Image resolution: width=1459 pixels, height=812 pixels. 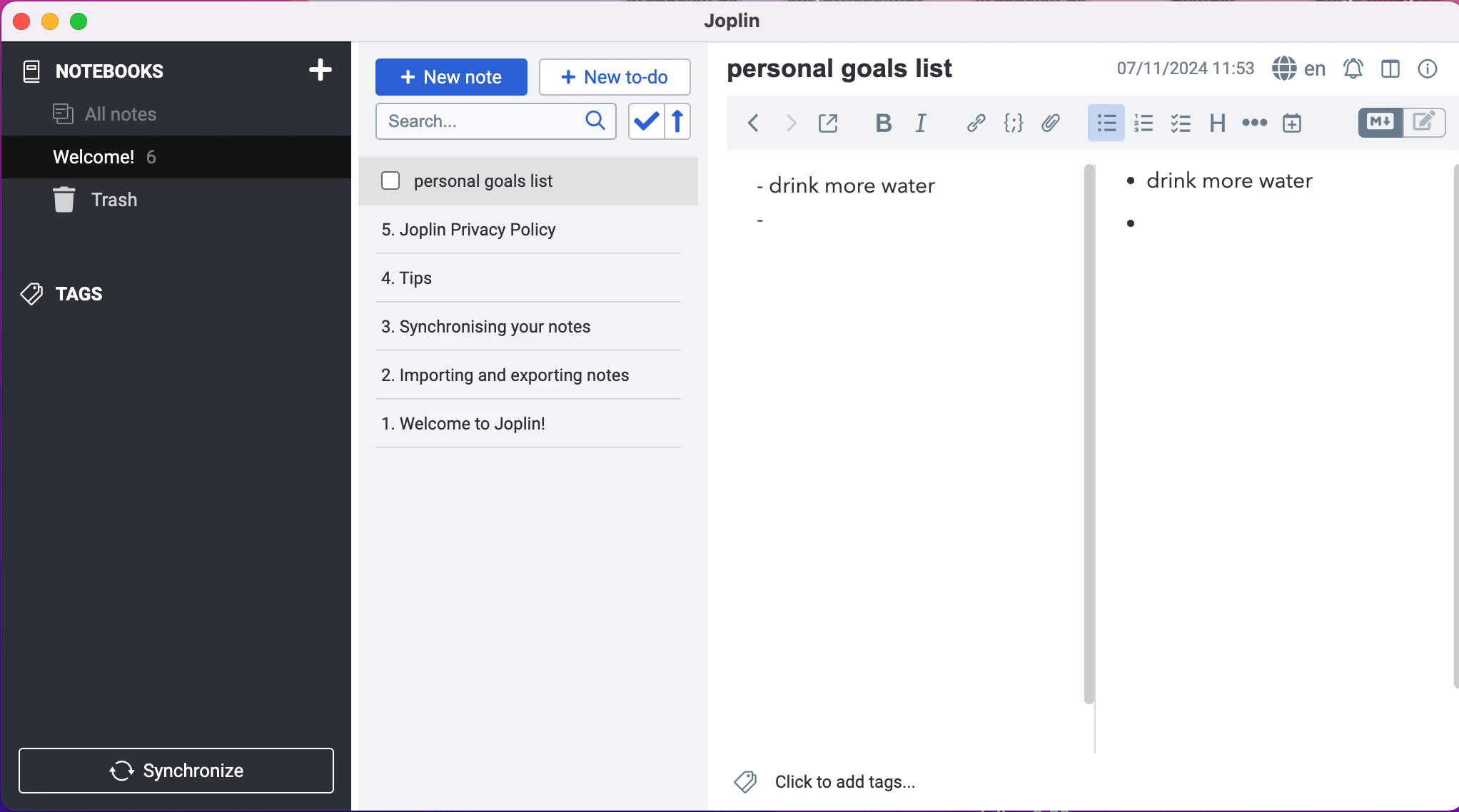 What do you see at coordinates (1181, 128) in the screenshot?
I see `check box` at bounding box center [1181, 128].